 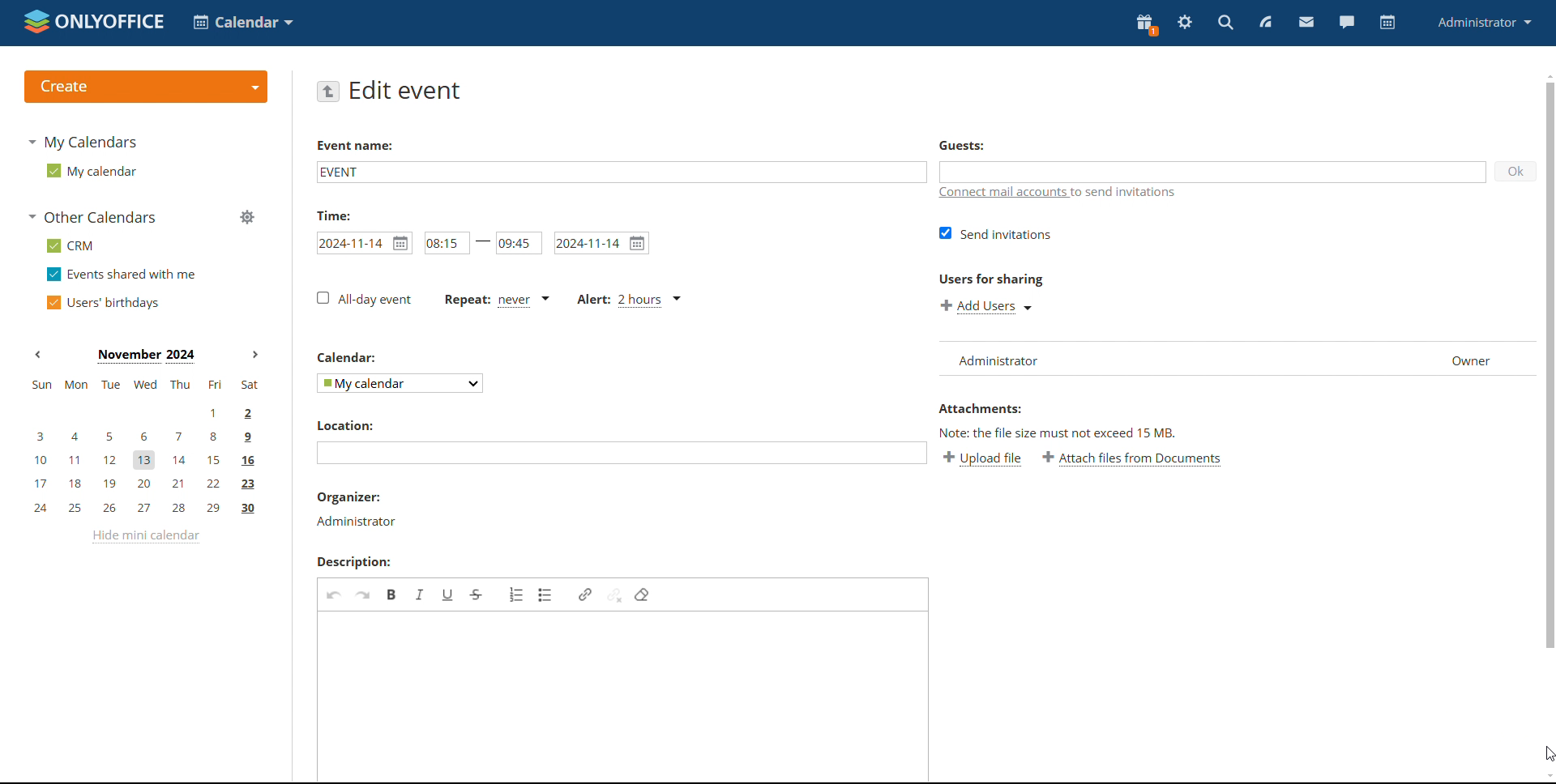 I want to click on organizer, so click(x=357, y=522).